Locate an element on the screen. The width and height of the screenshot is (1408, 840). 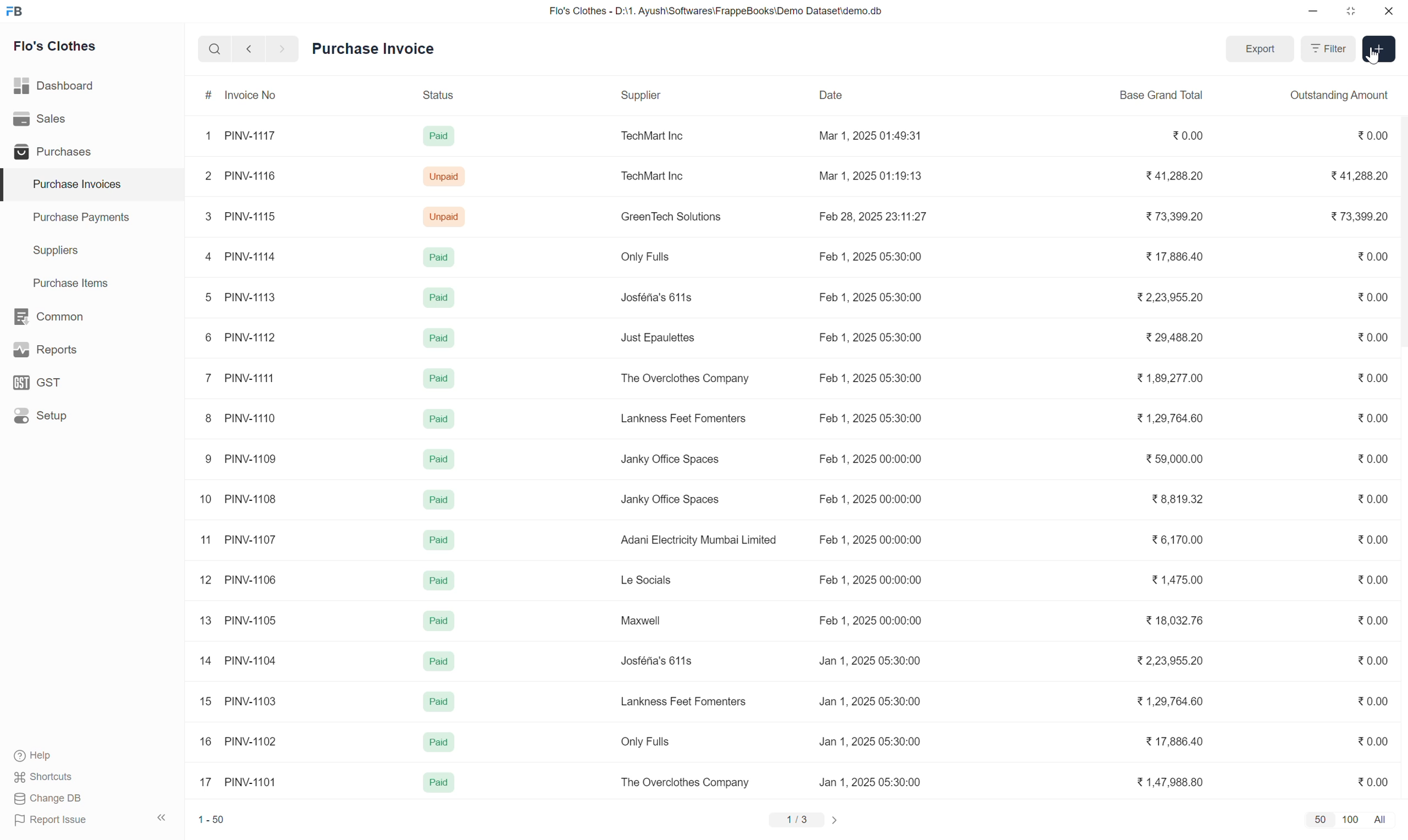
41,288.20 is located at coordinates (1174, 175).